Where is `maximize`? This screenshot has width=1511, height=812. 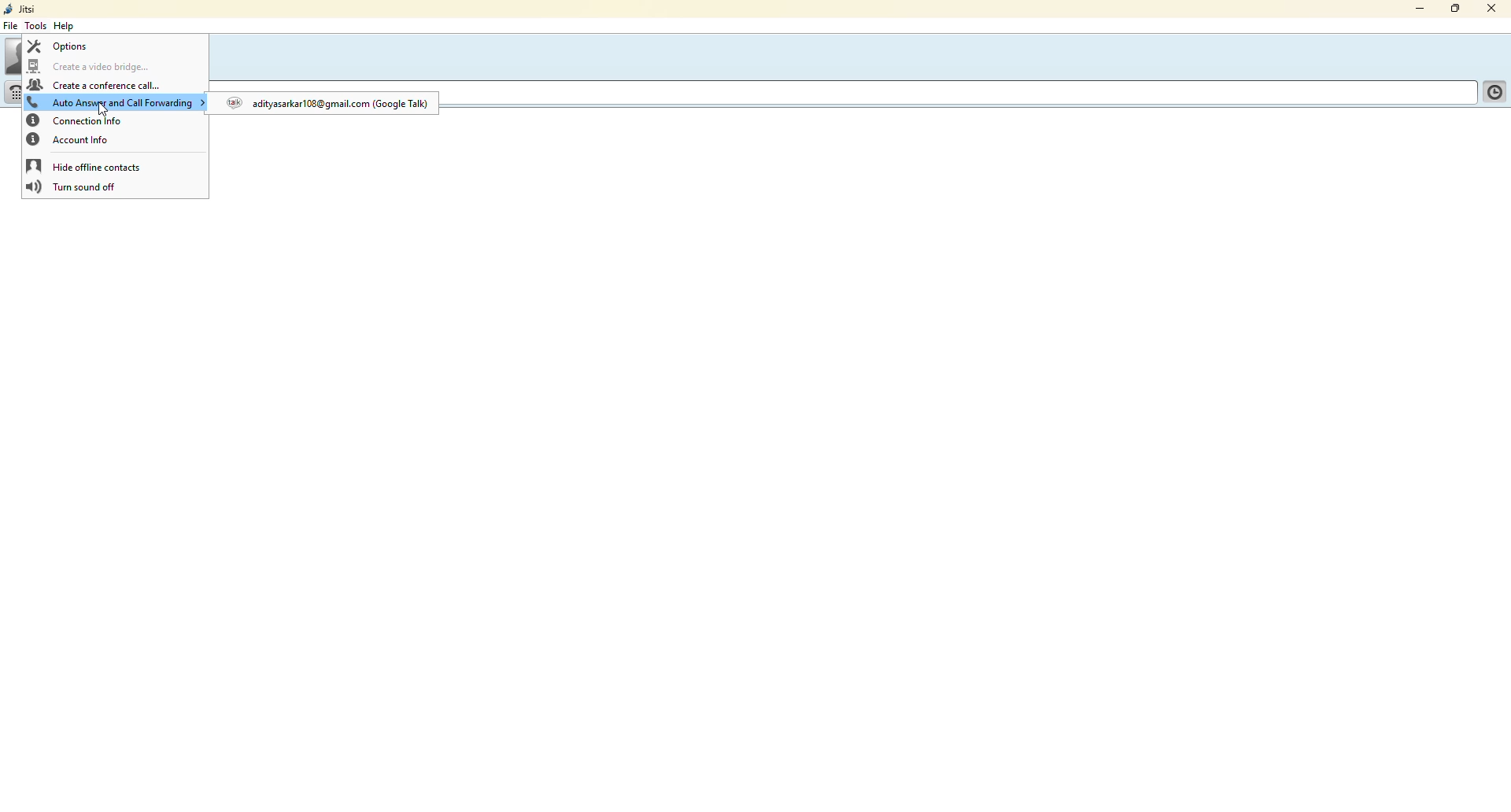
maximize is located at coordinates (1452, 10).